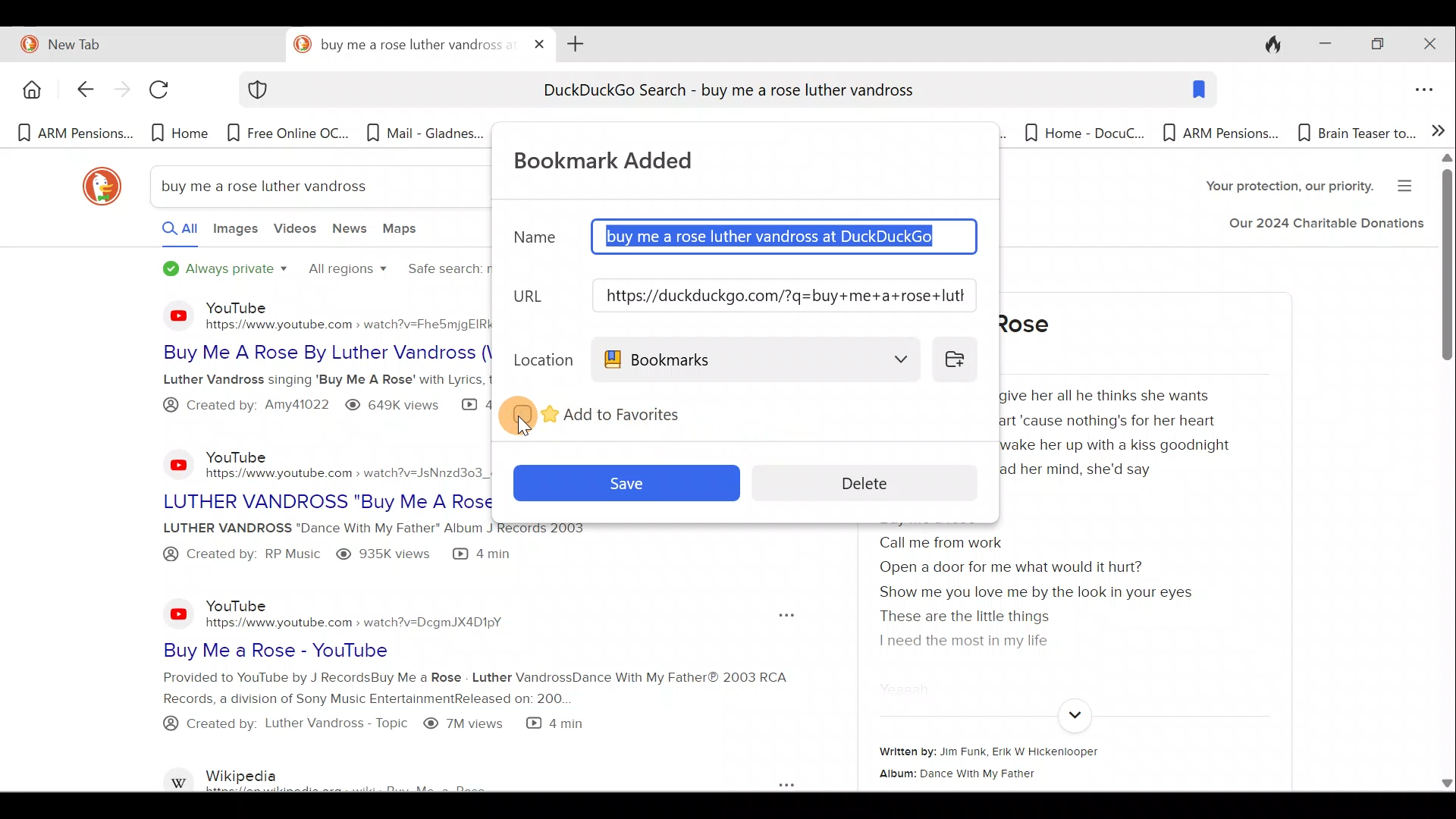 The width and height of the screenshot is (1456, 819). Describe the element at coordinates (1053, 581) in the screenshot. I see `Buy me a rose

Call me from work

Open a door for me what would it hurt?

Show me you love me by the look in your eyes
ad These are the little things

| need the most in my life` at that location.